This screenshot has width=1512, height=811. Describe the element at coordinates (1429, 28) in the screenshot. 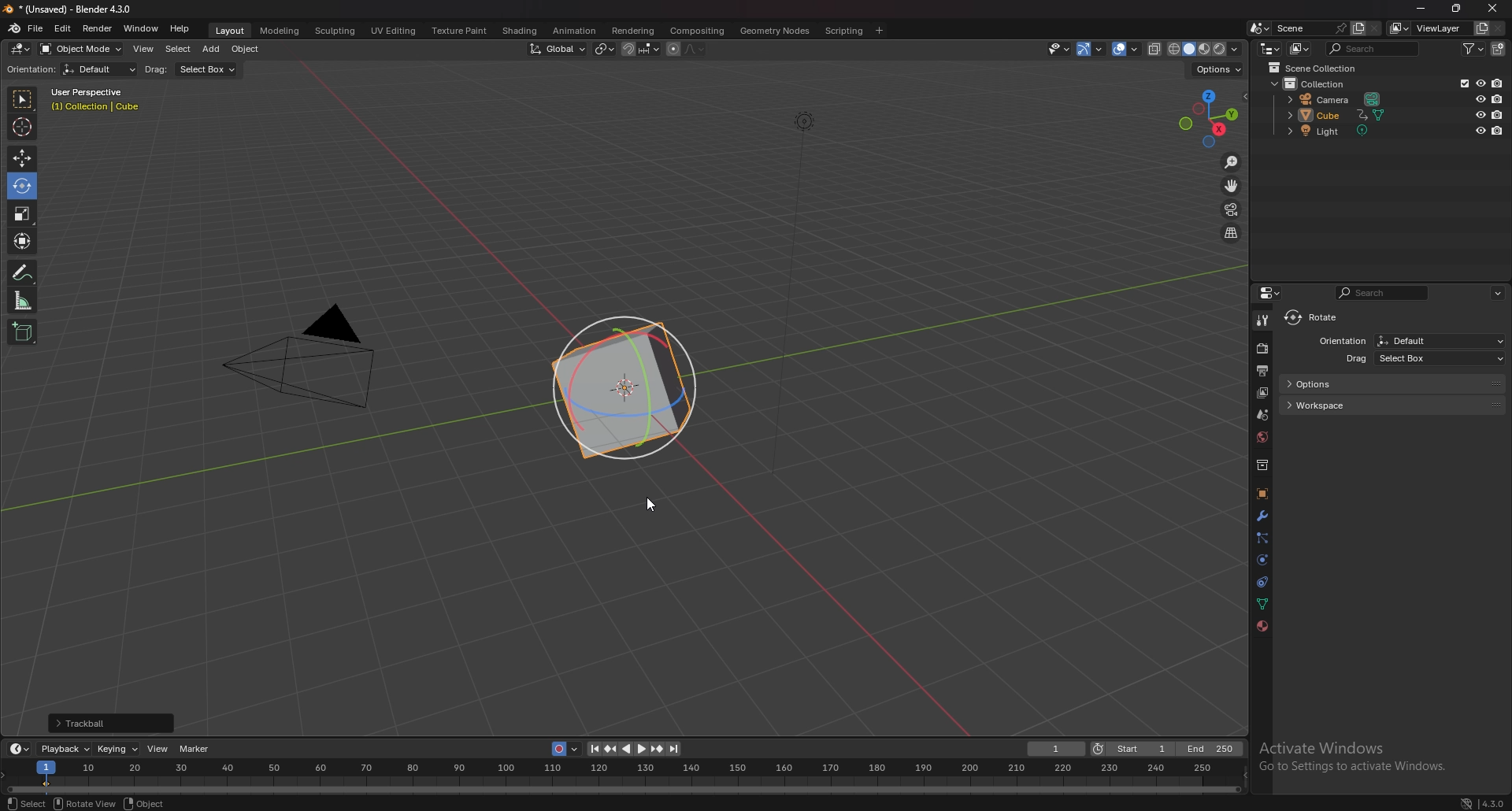

I see `view layer` at that location.